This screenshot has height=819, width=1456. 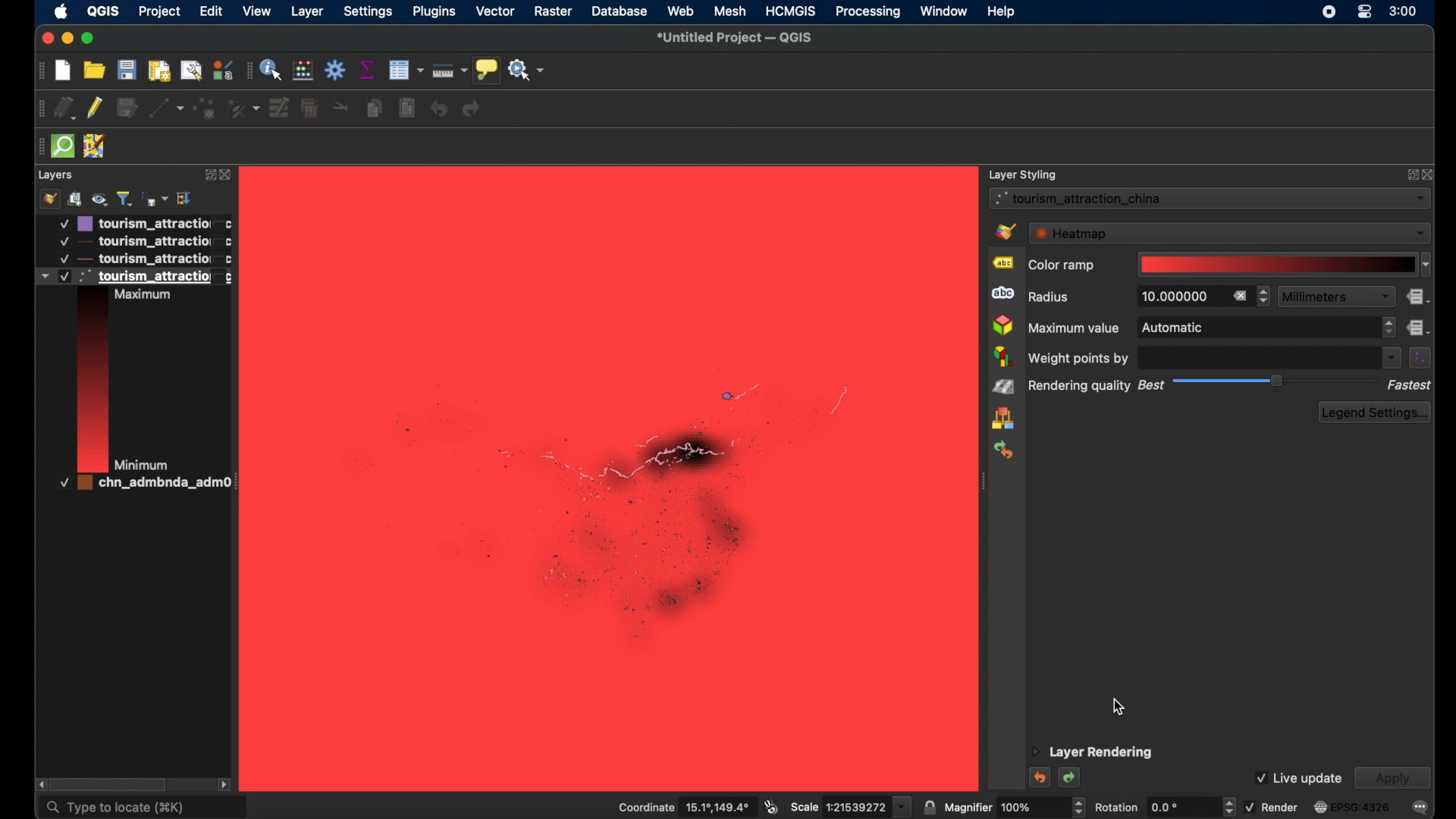 What do you see at coordinates (682, 10) in the screenshot?
I see `web` at bounding box center [682, 10].